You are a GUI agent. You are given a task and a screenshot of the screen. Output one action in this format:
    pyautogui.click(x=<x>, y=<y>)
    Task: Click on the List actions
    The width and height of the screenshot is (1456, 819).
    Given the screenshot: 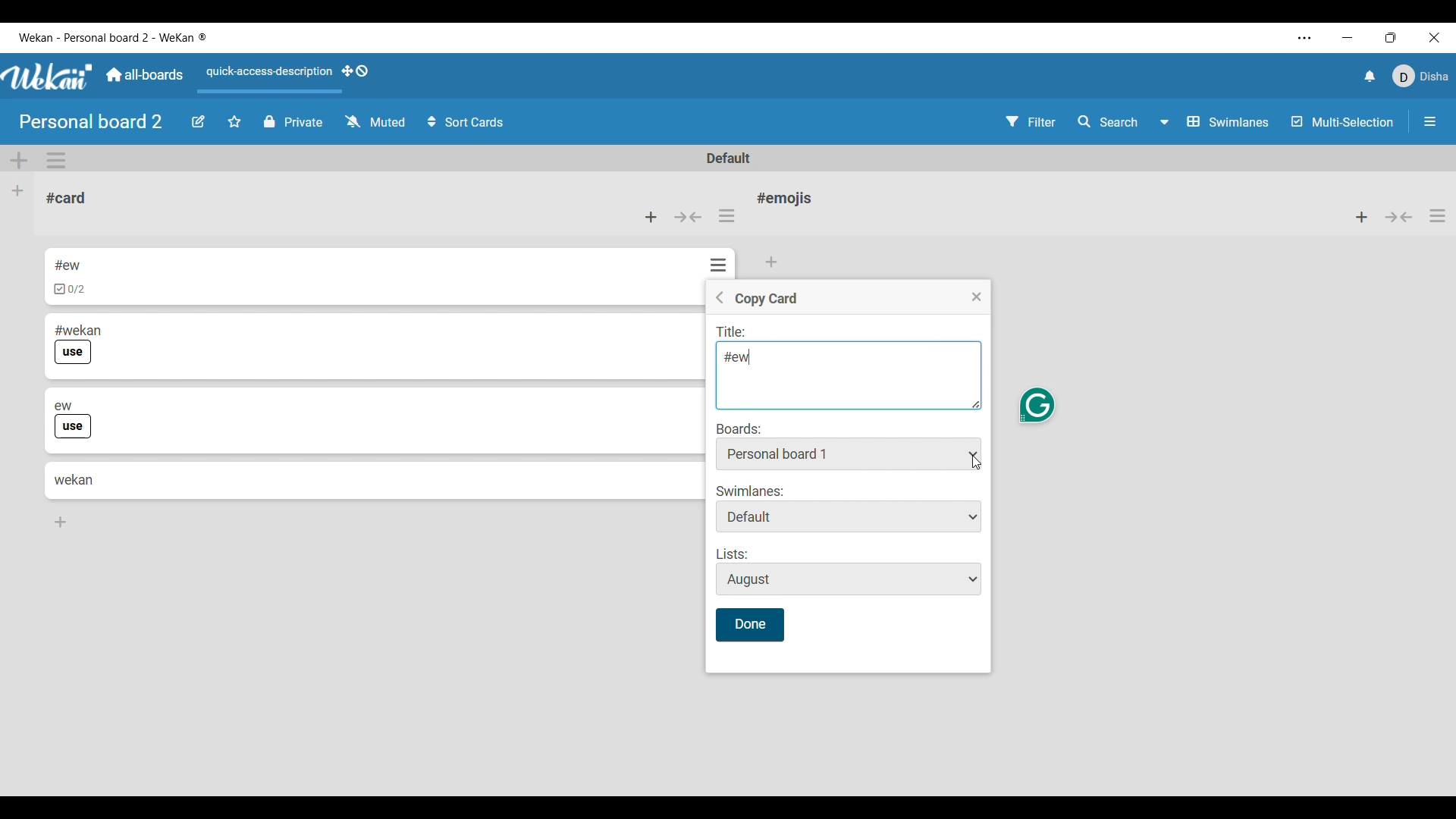 What is the action you would take?
    pyautogui.click(x=726, y=215)
    